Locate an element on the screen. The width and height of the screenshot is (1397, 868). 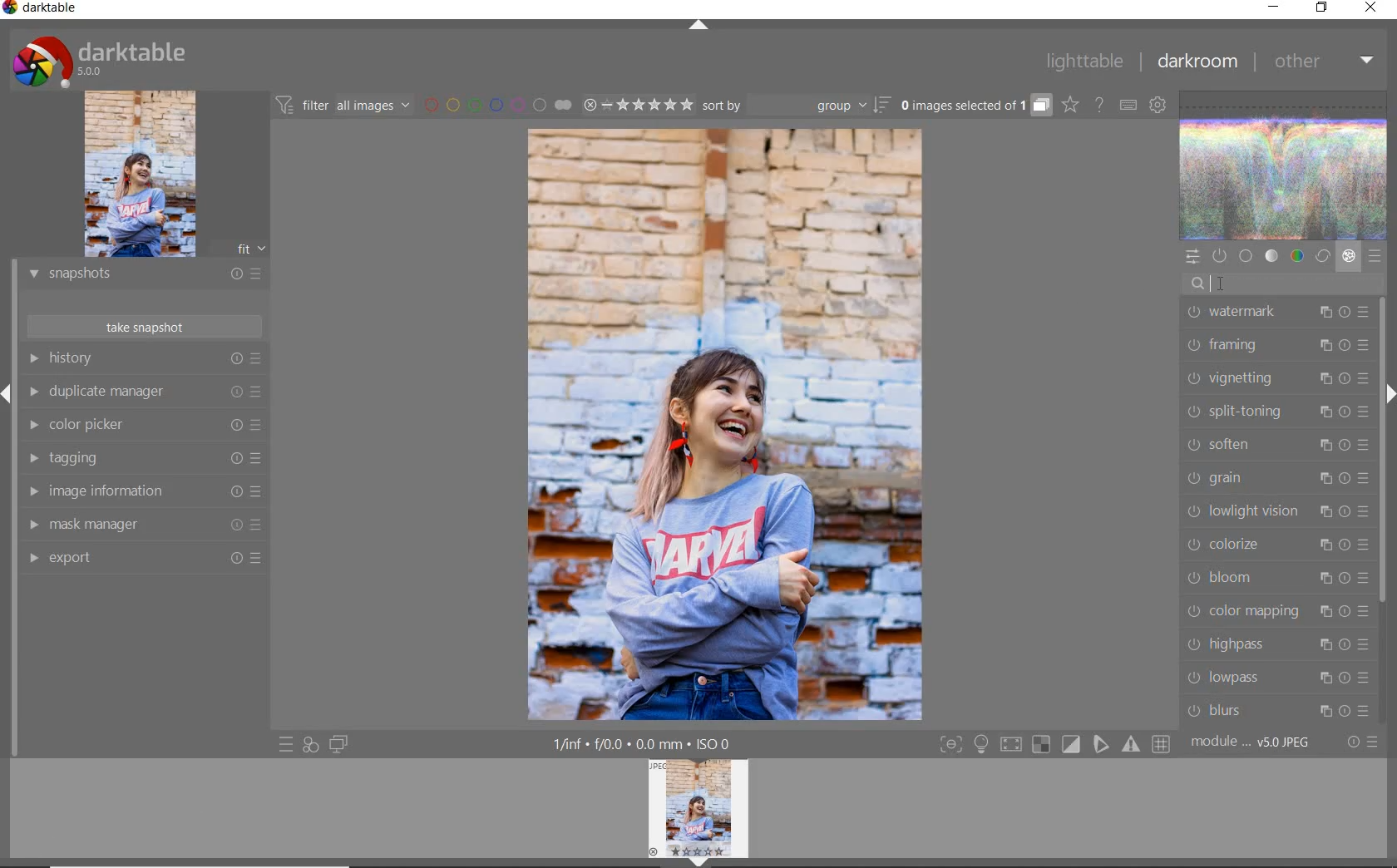
export is located at coordinates (146, 558).